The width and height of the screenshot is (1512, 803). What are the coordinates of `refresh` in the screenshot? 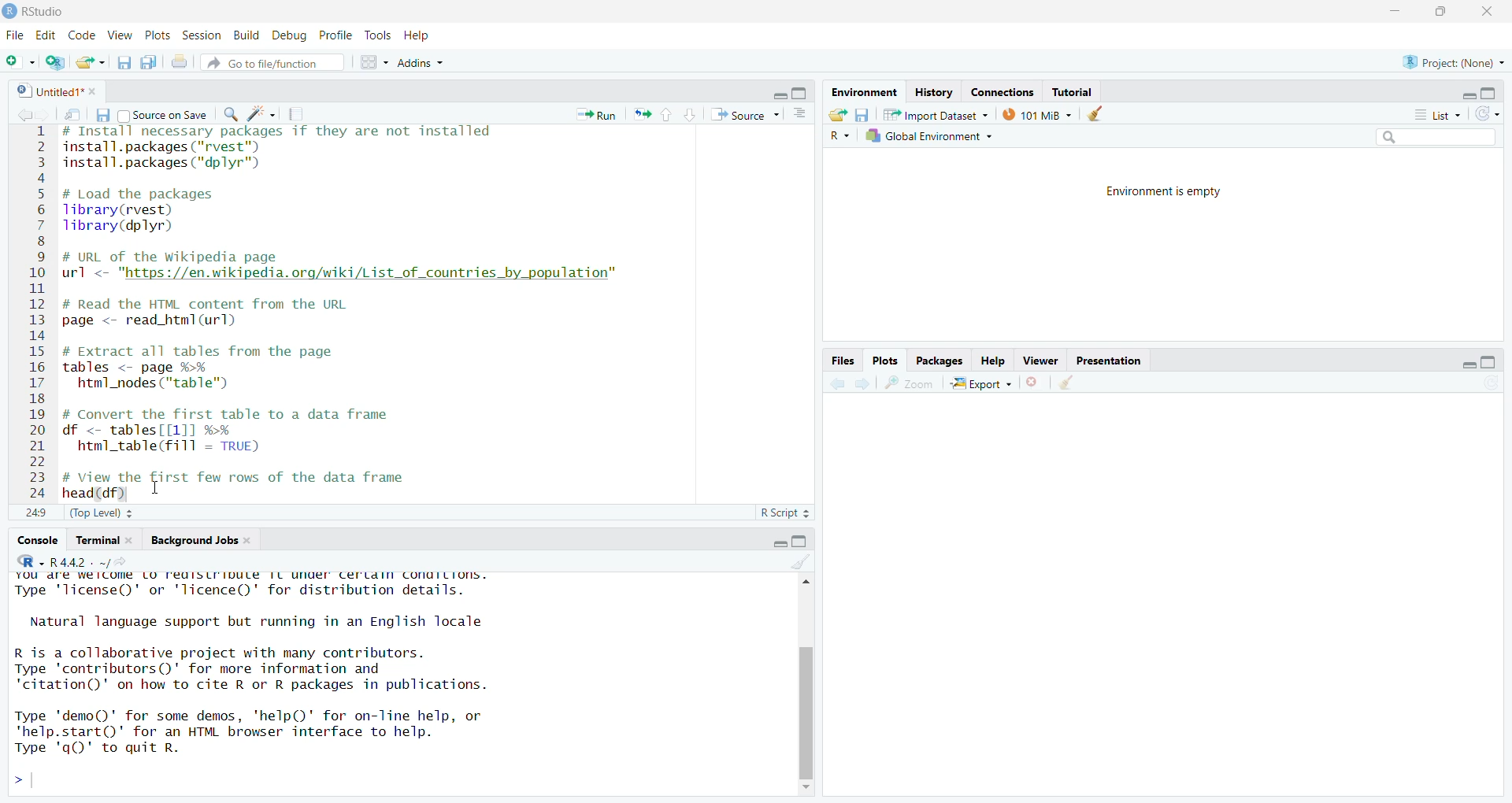 It's located at (1487, 114).